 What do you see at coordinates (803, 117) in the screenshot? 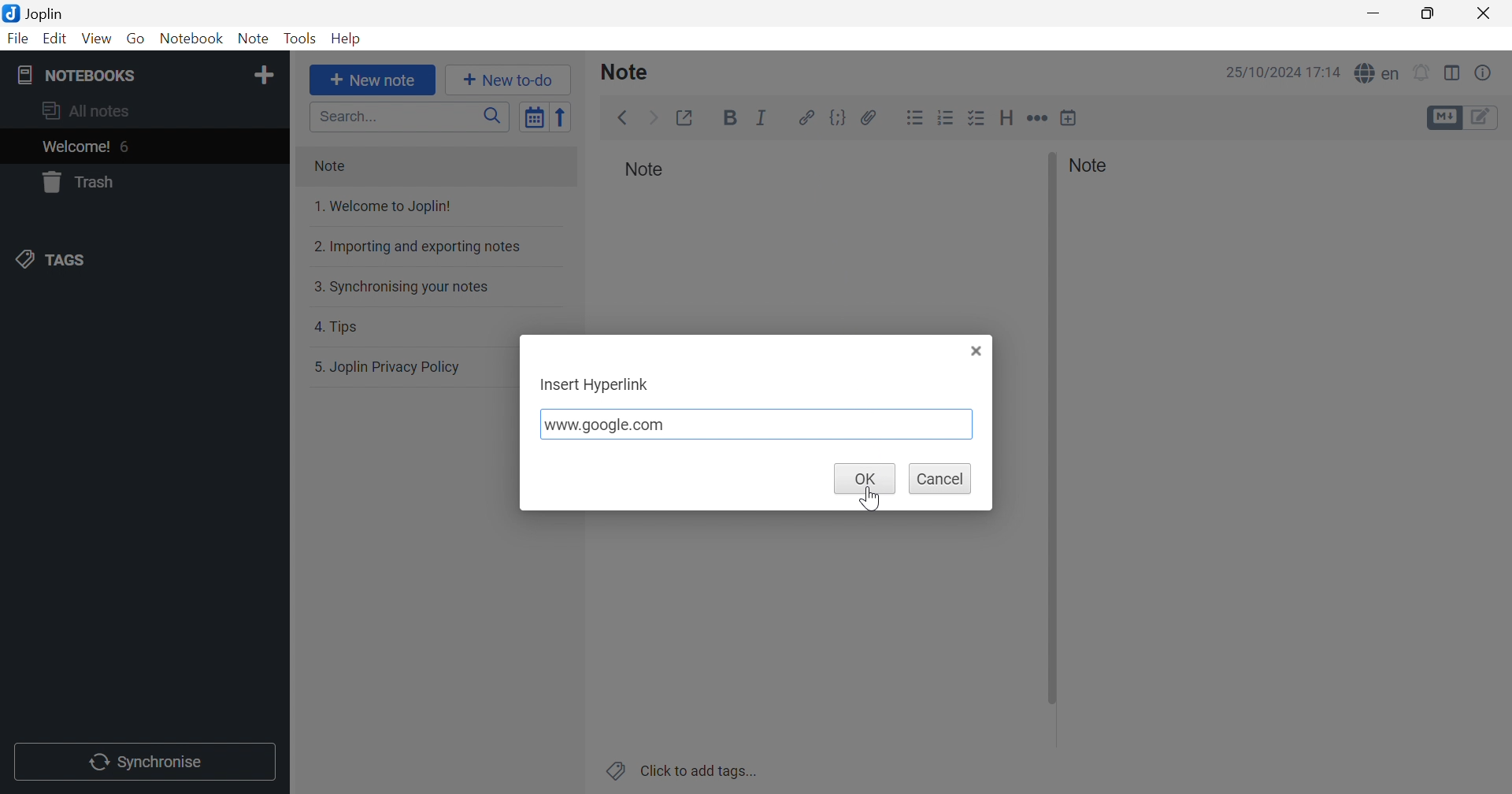
I see `Hyperlink` at bounding box center [803, 117].